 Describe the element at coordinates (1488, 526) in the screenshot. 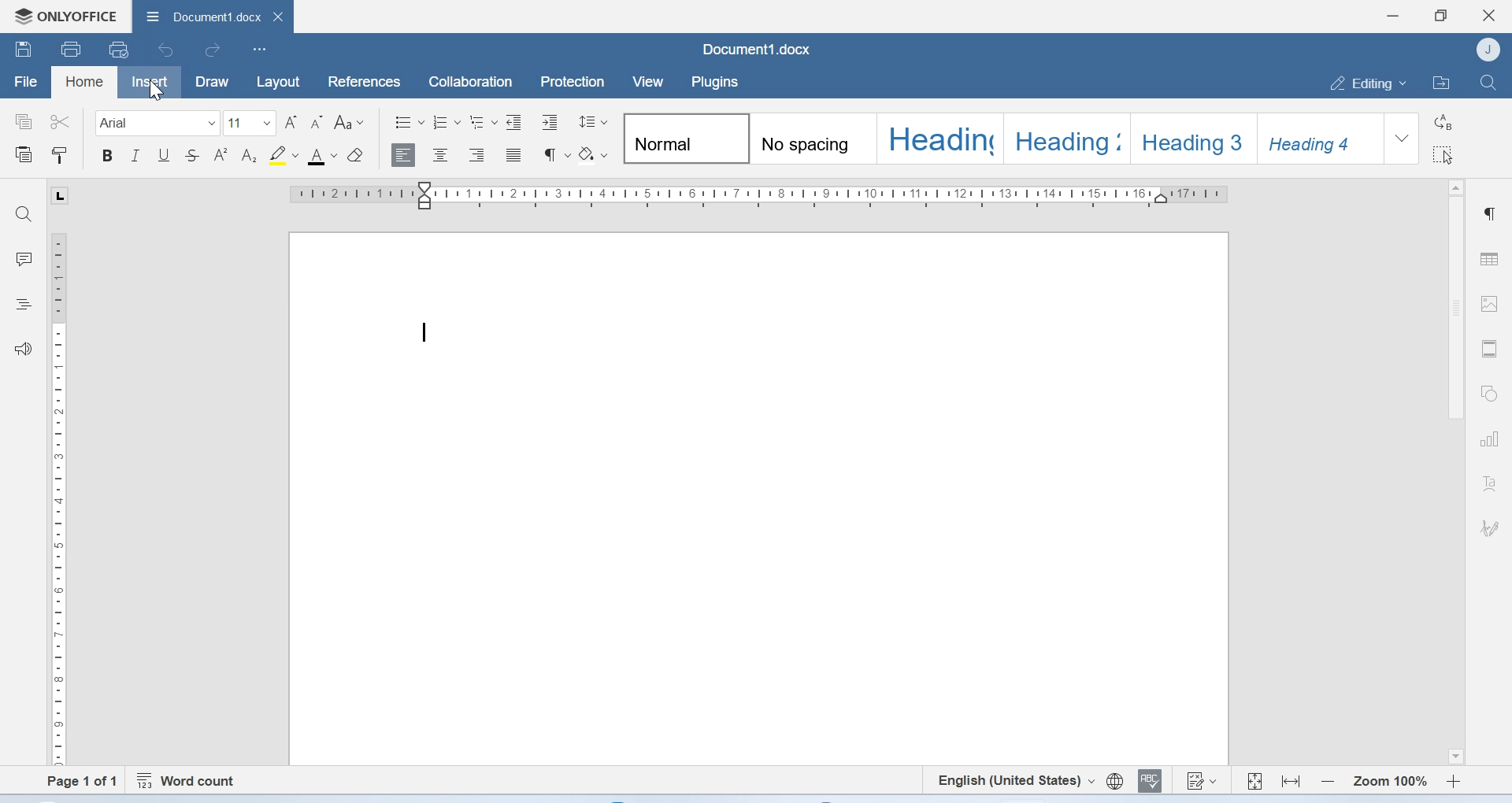

I see `Signature` at that location.